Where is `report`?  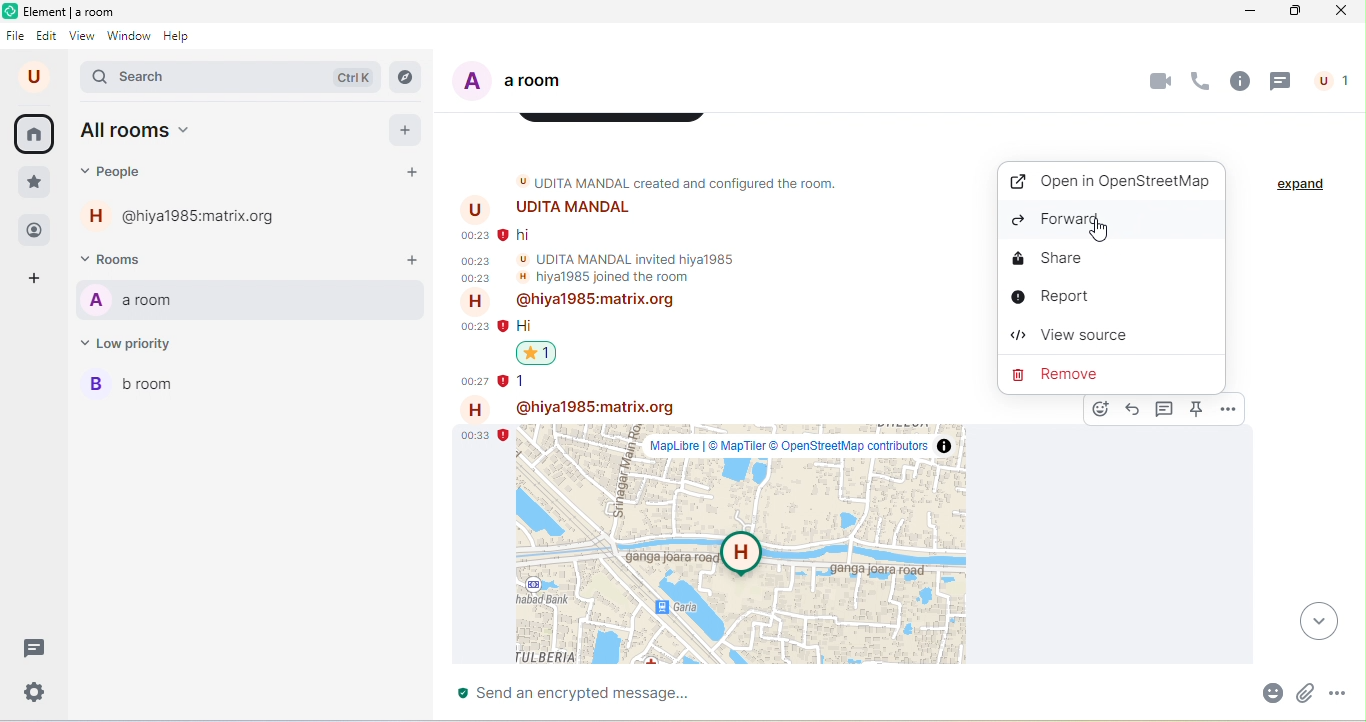
report is located at coordinates (1112, 299).